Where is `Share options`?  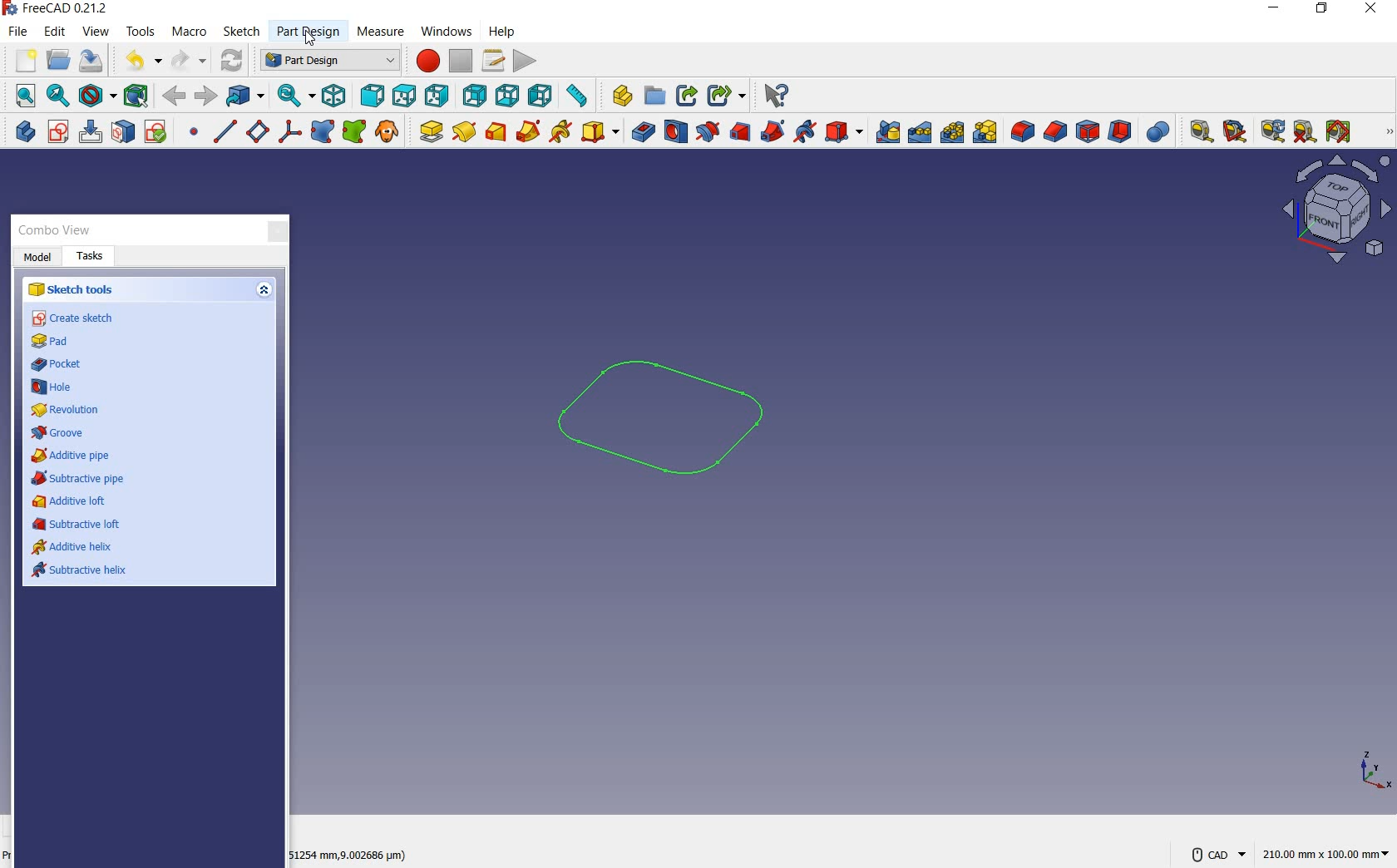
Share options is located at coordinates (728, 93).